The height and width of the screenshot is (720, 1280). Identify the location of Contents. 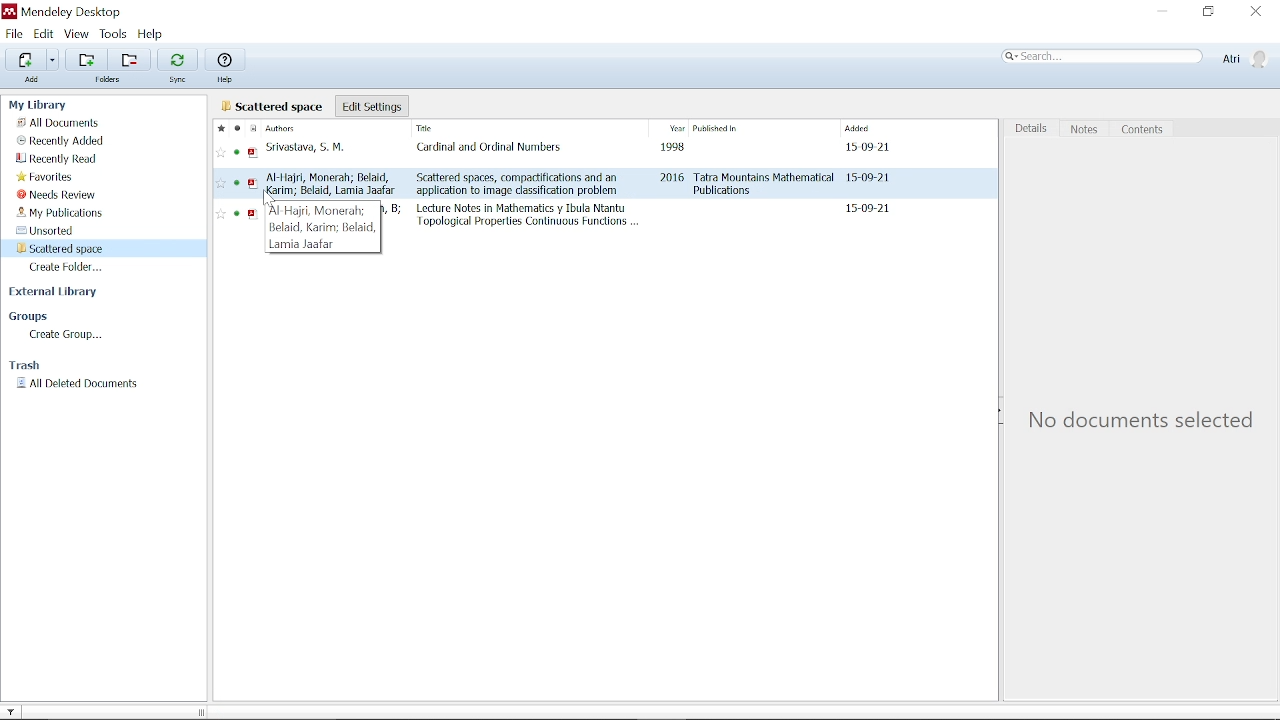
(1149, 128).